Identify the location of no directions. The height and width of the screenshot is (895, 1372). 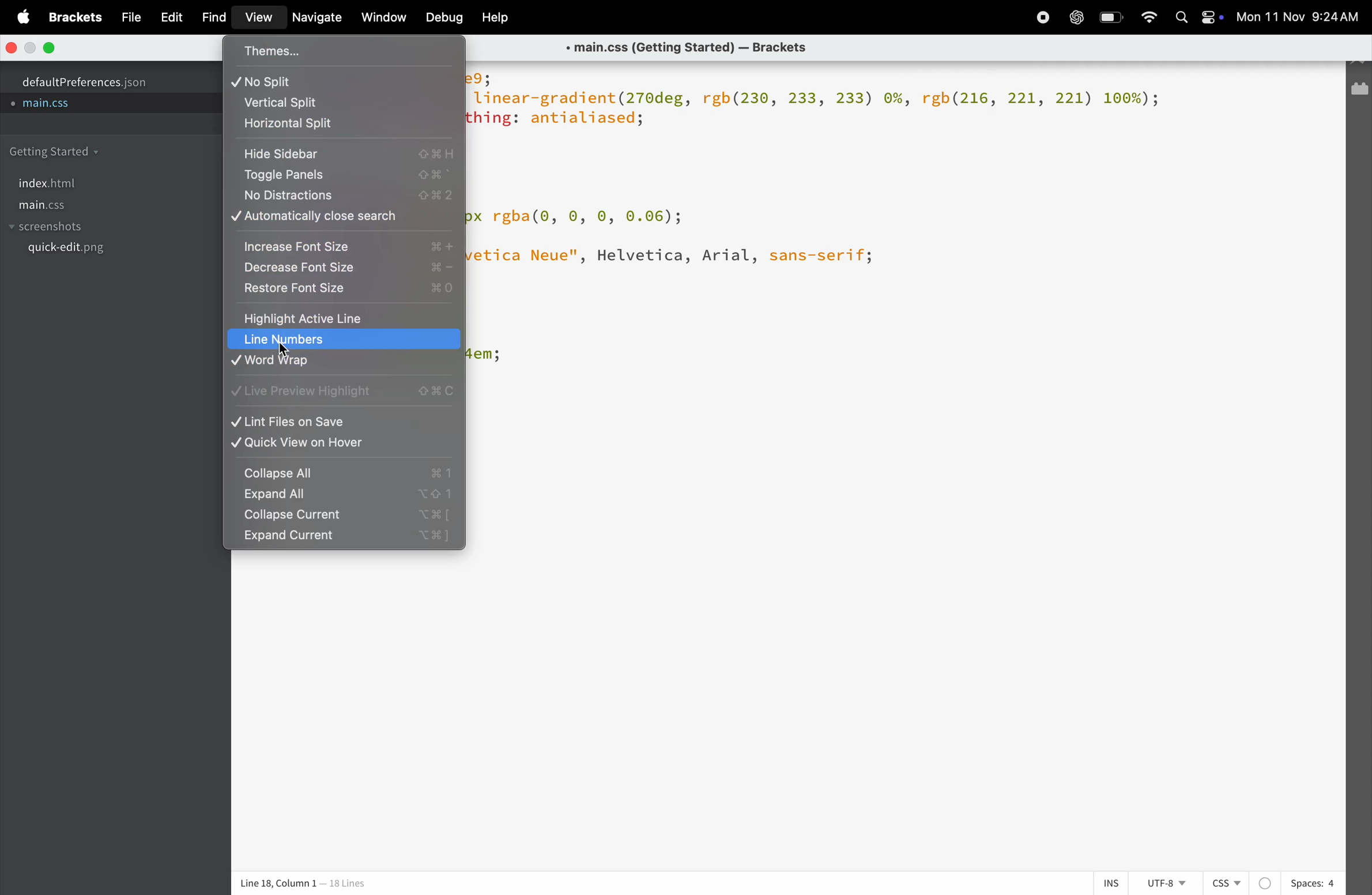
(346, 195).